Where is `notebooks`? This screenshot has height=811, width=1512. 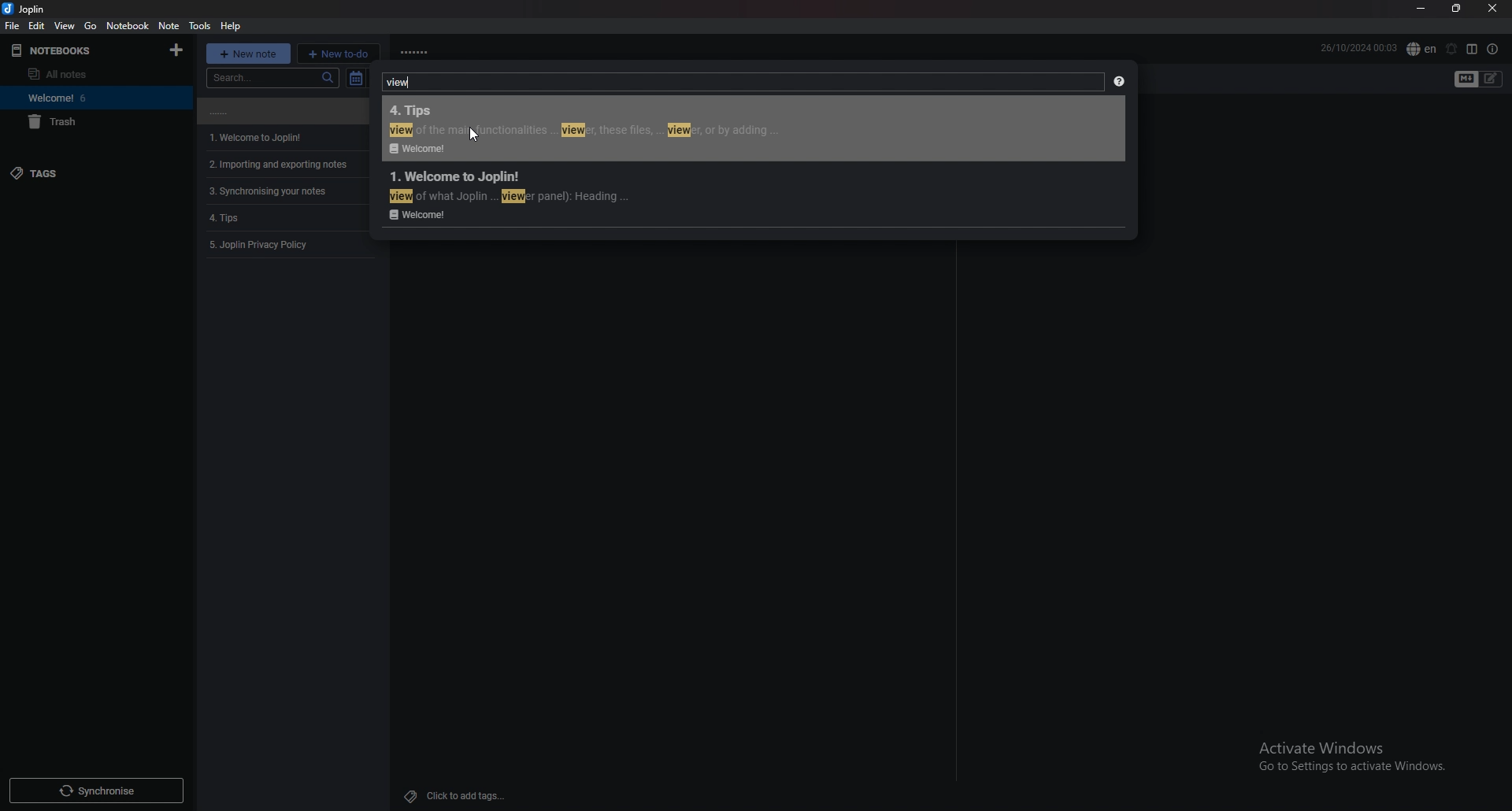 notebooks is located at coordinates (94, 50).